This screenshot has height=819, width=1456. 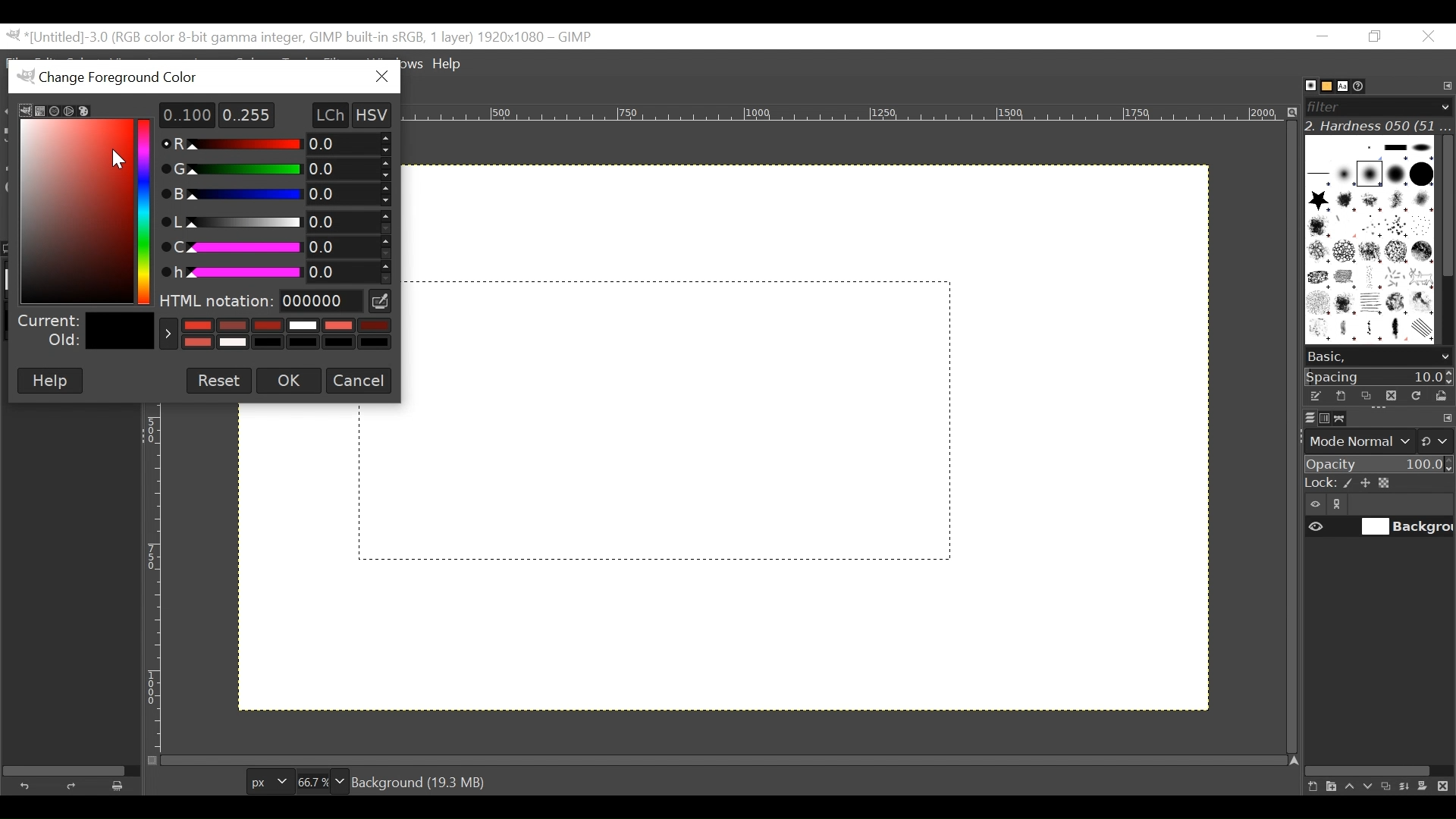 I want to click on Channels, so click(x=1321, y=417).